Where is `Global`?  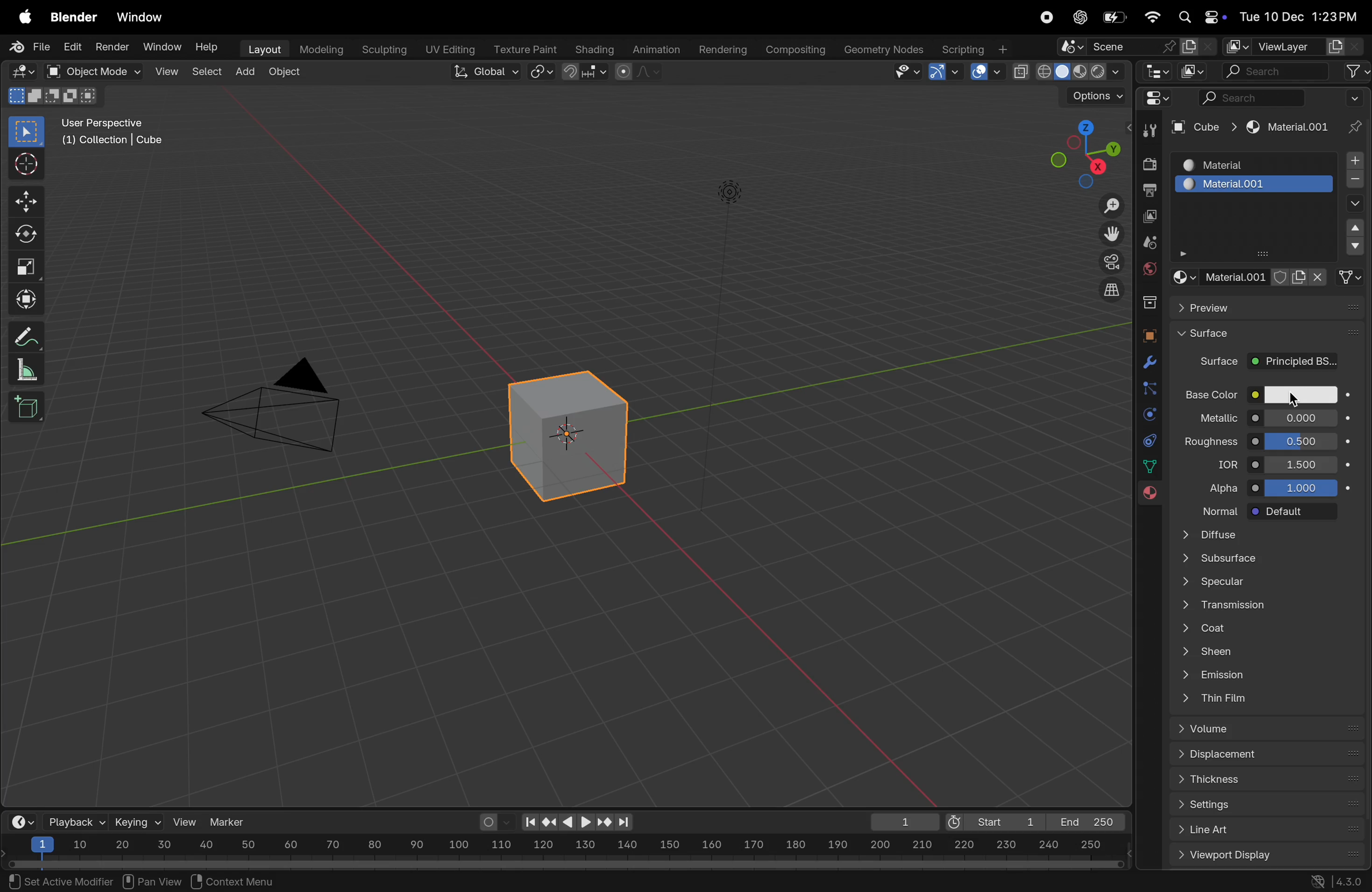 Global is located at coordinates (482, 71).